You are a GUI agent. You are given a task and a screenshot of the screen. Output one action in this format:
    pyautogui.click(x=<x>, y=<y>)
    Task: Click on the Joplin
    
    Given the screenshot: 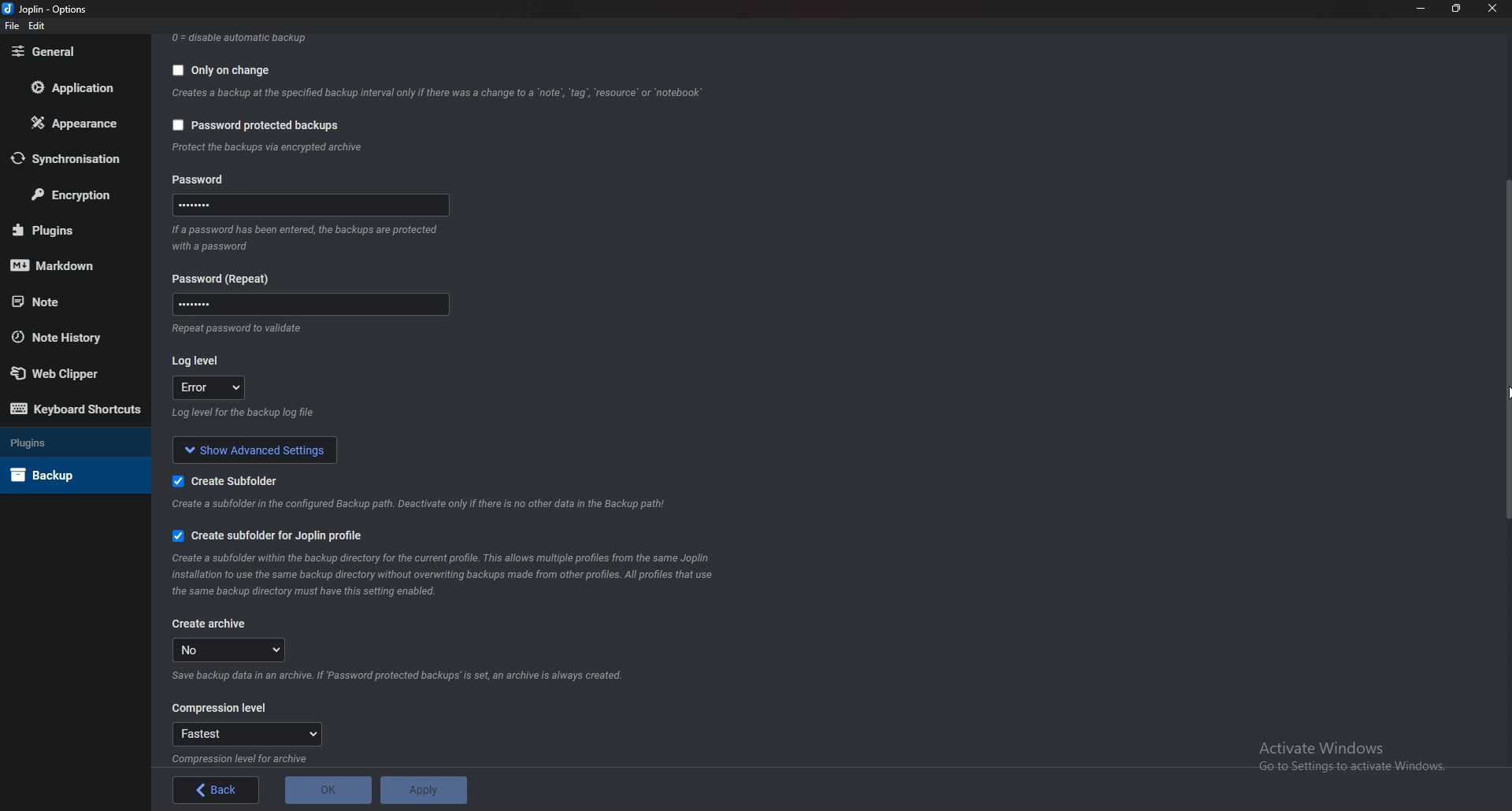 What is the action you would take?
    pyautogui.click(x=46, y=9)
    